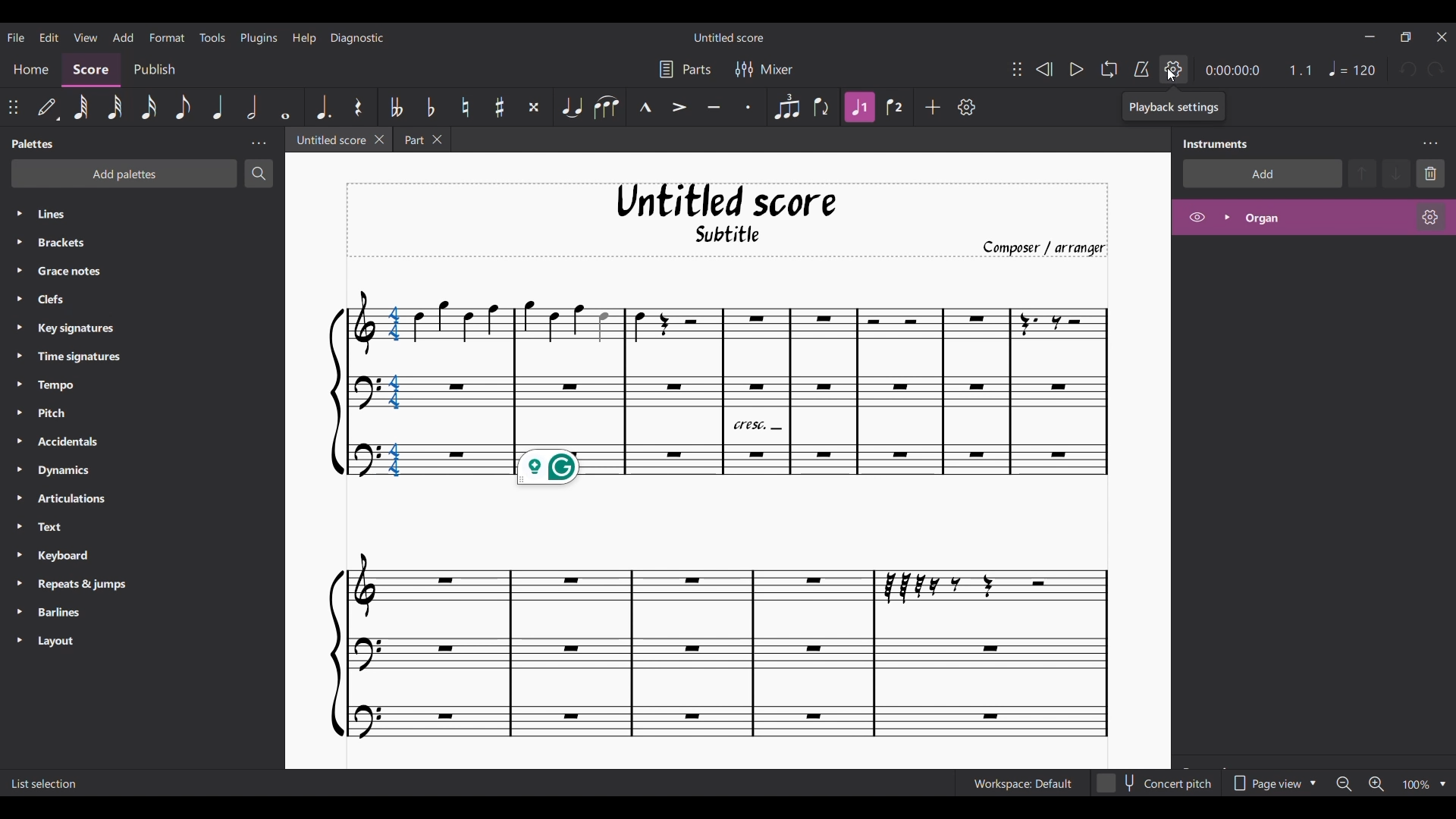  Describe the element at coordinates (1044, 69) in the screenshot. I see `Rewind` at that location.